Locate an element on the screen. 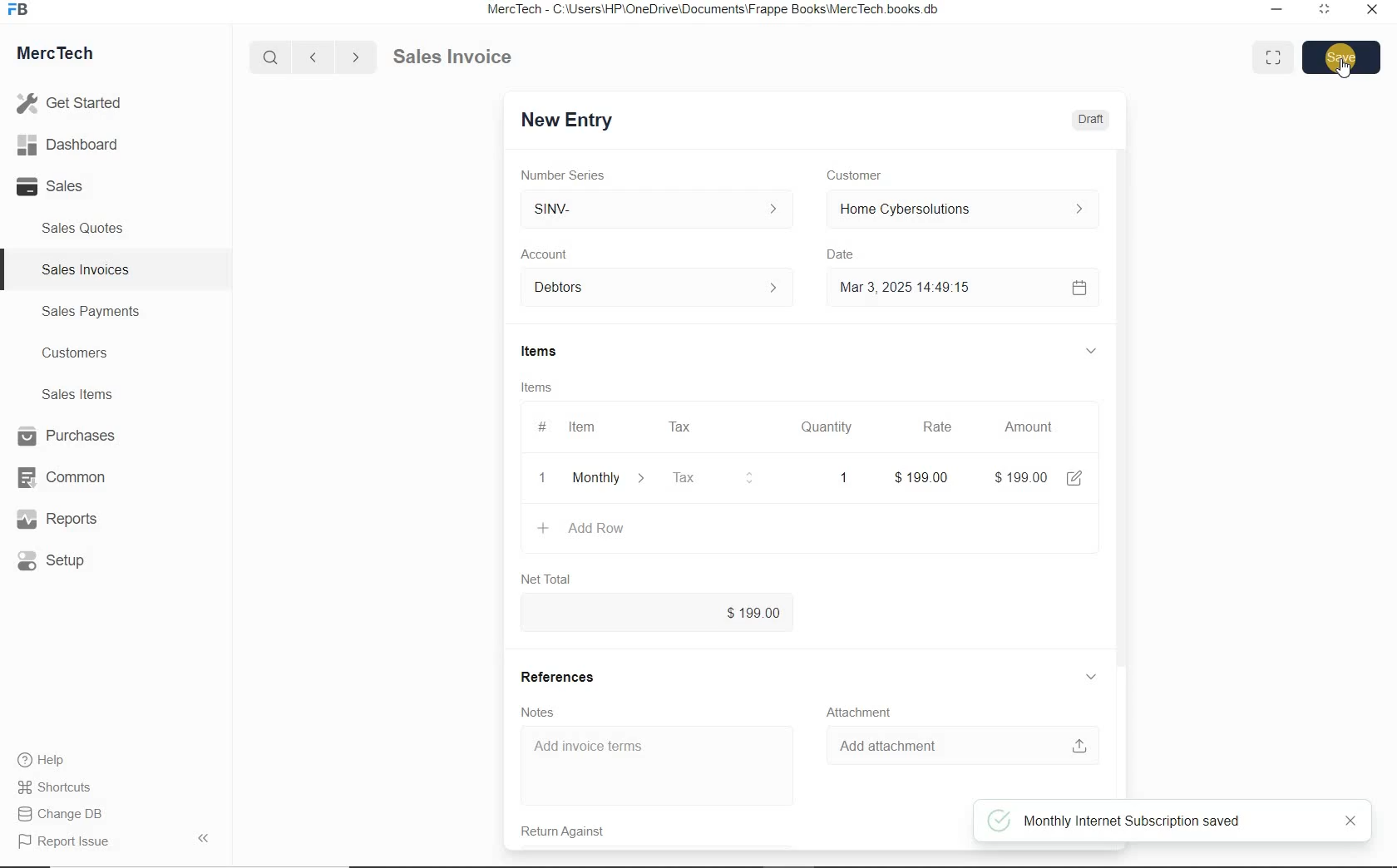  Sales Items is located at coordinates (88, 394).